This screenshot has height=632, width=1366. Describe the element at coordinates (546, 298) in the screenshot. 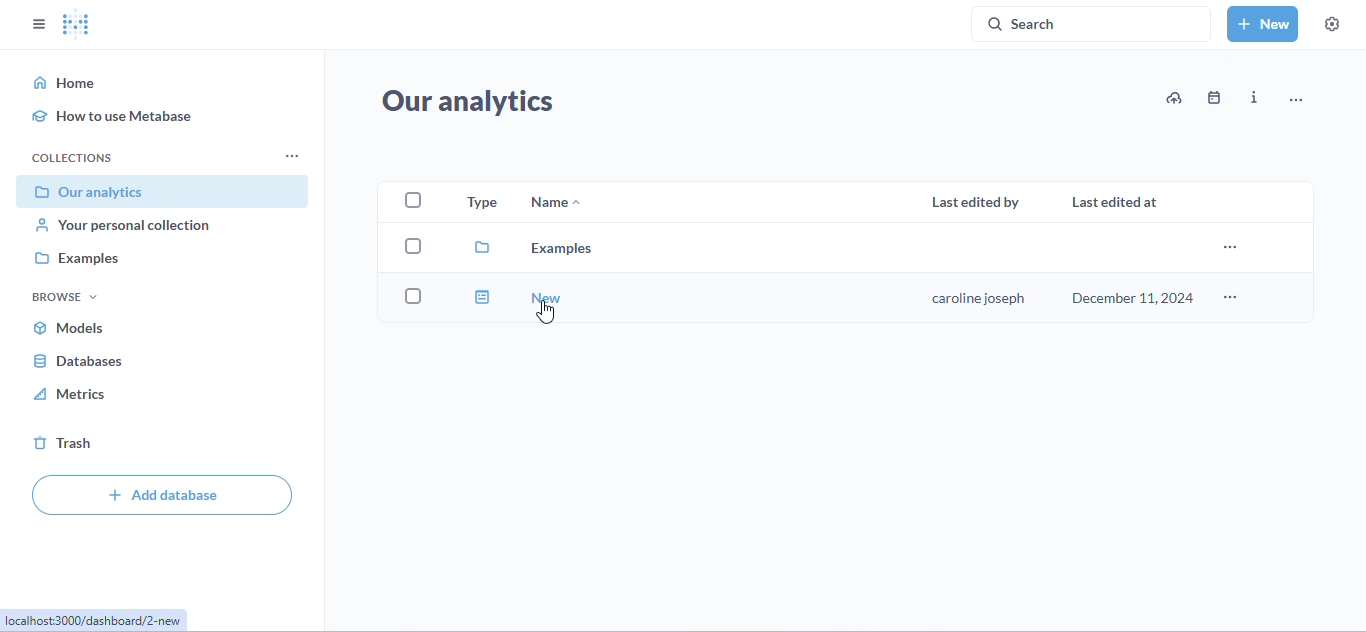

I see `new` at that location.